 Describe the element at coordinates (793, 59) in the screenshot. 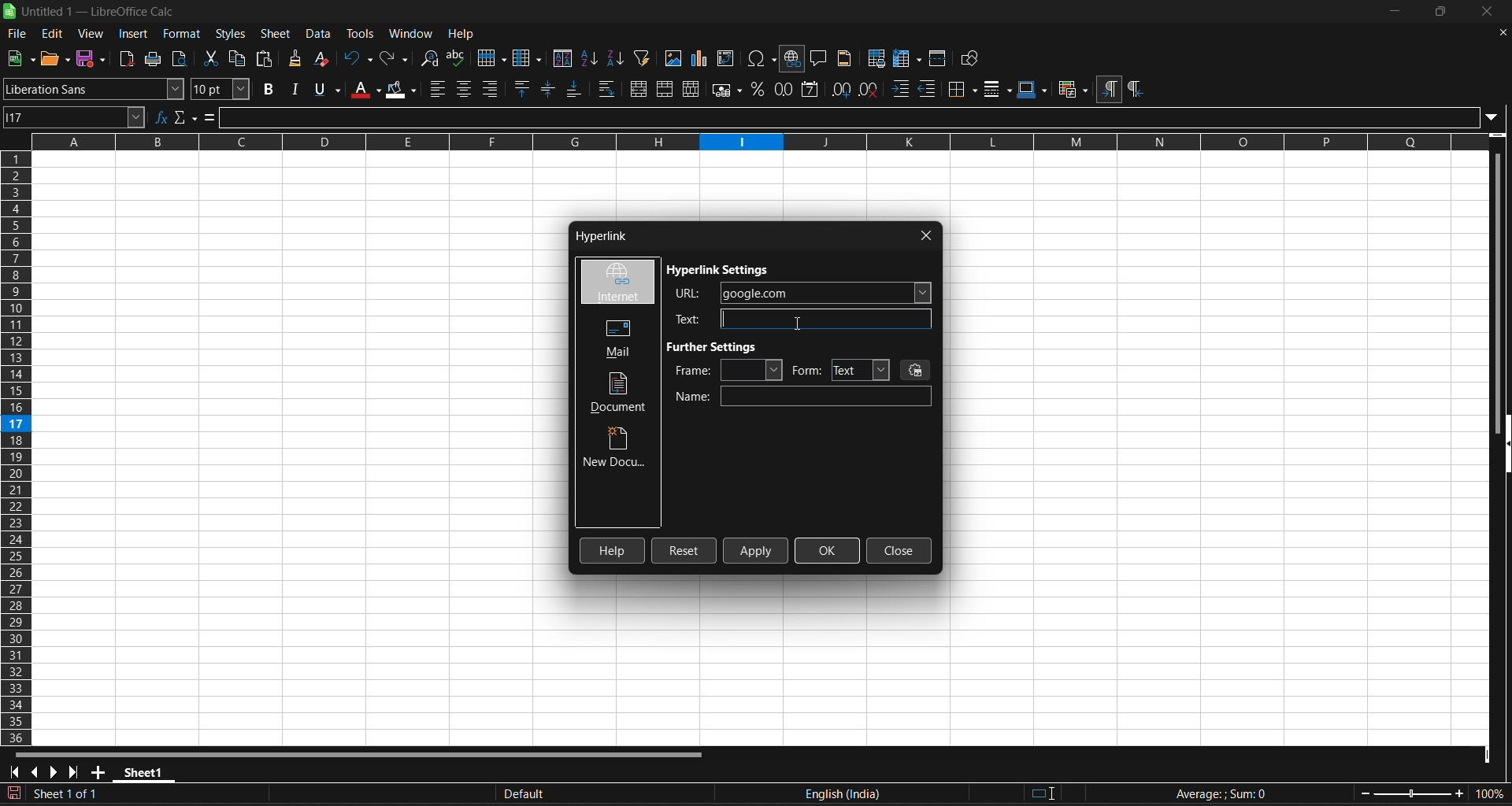

I see `insert hyperlink` at that location.